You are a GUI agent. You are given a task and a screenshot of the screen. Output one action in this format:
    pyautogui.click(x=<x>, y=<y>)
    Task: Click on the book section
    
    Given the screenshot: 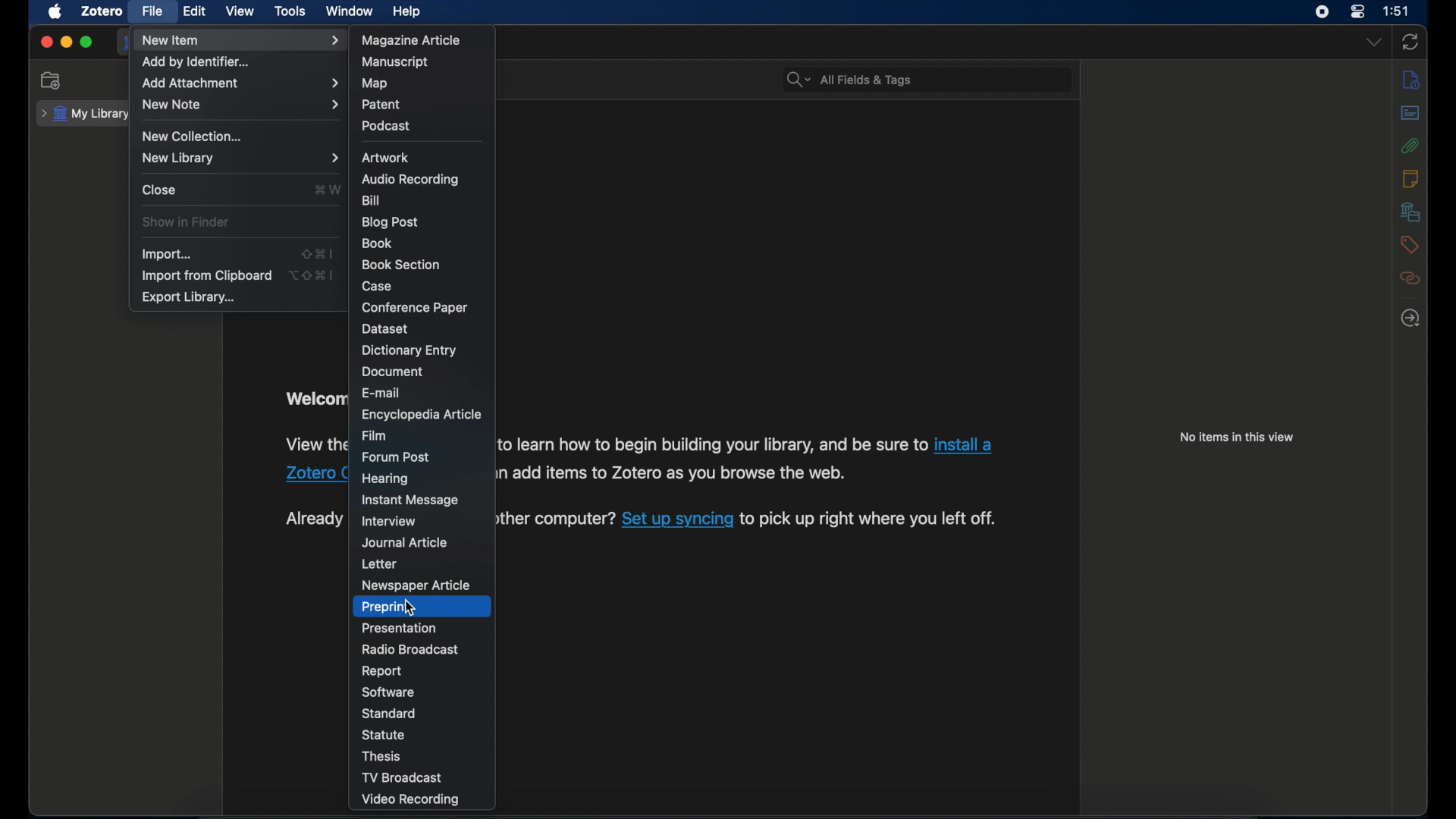 What is the action you would take?
    pyautogui.click(x=402, y=265)
    